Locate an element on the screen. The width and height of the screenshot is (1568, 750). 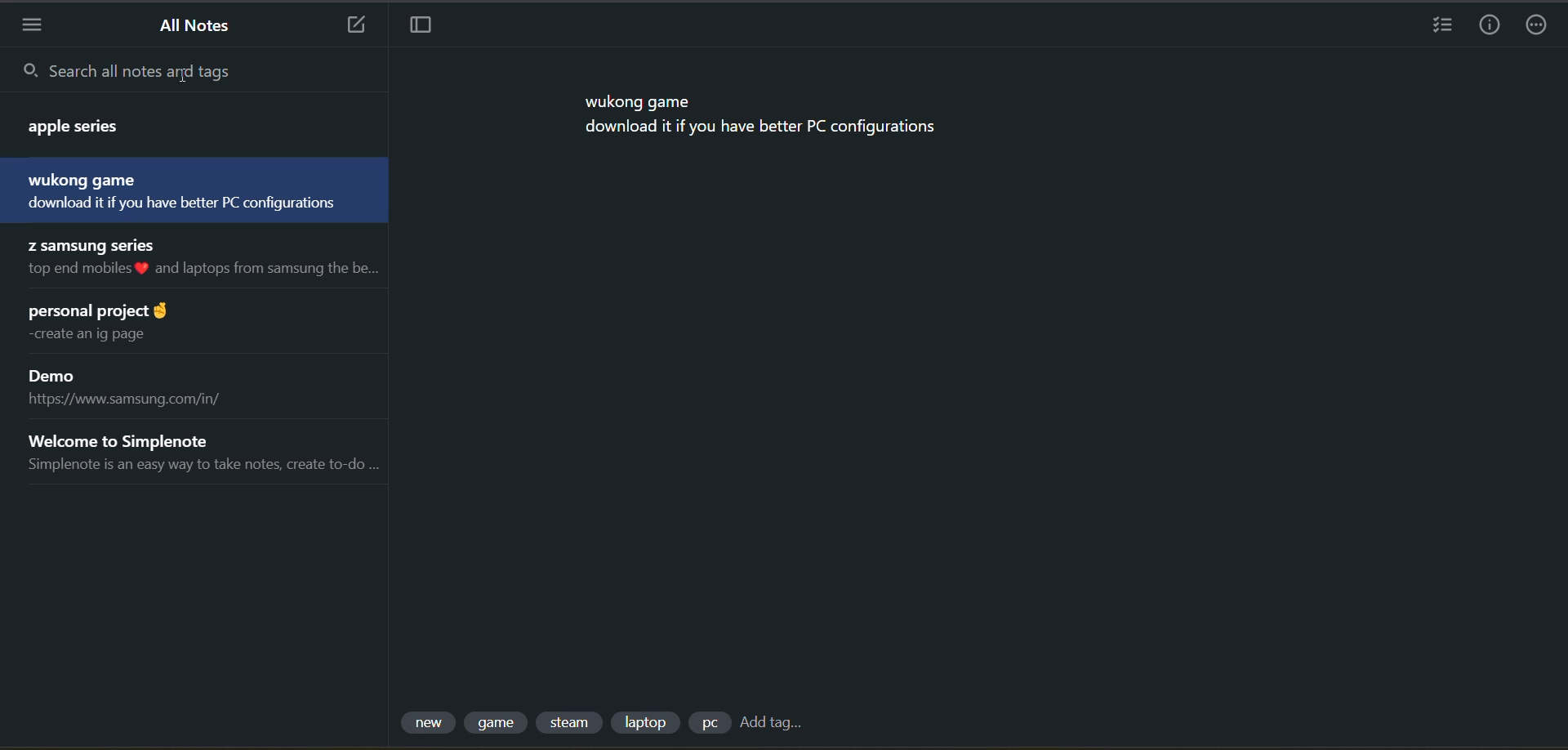
note title and preview is located at coordinates (199, 452).